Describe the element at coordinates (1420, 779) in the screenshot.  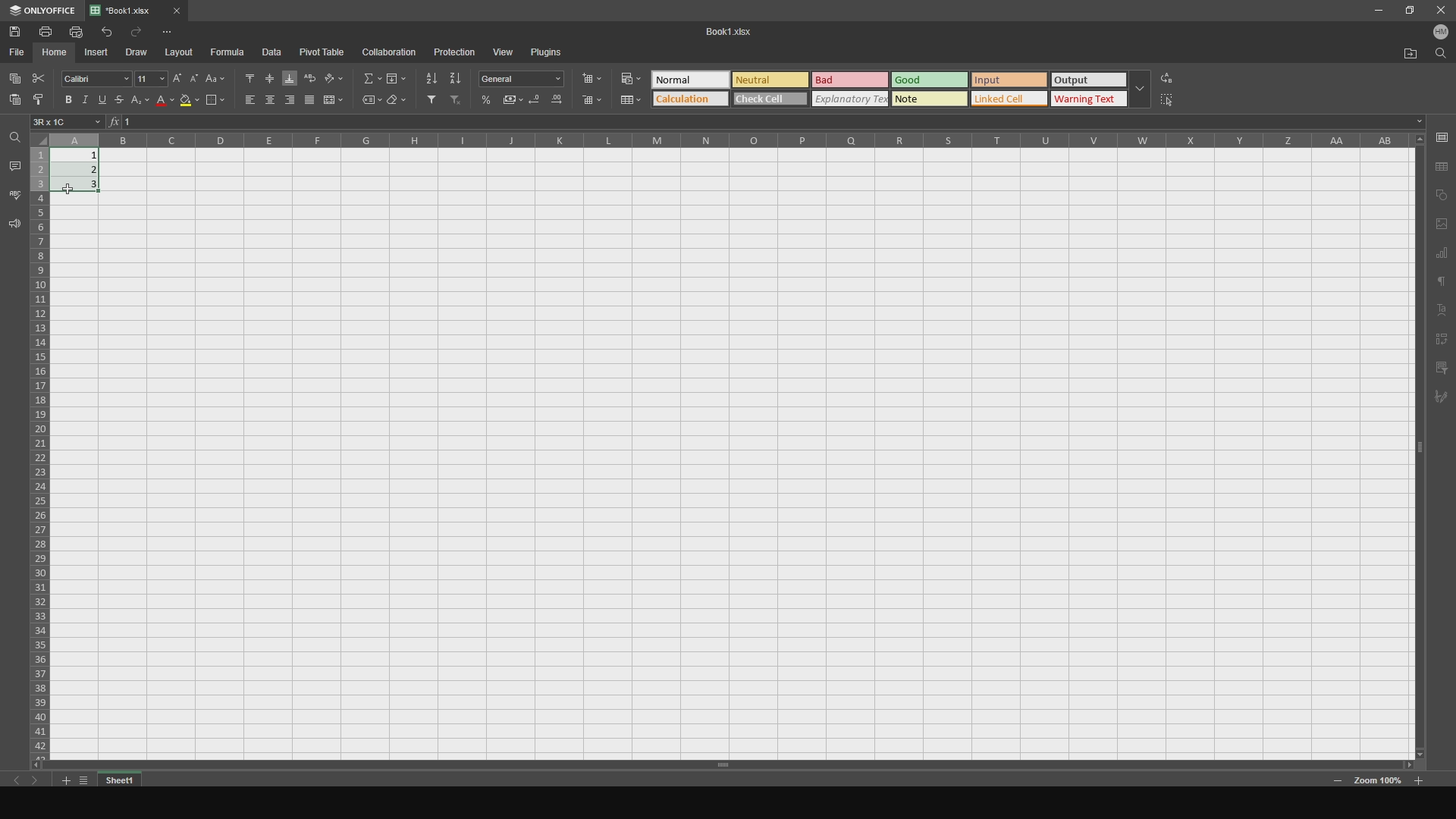
I see `zoom out` at that location.